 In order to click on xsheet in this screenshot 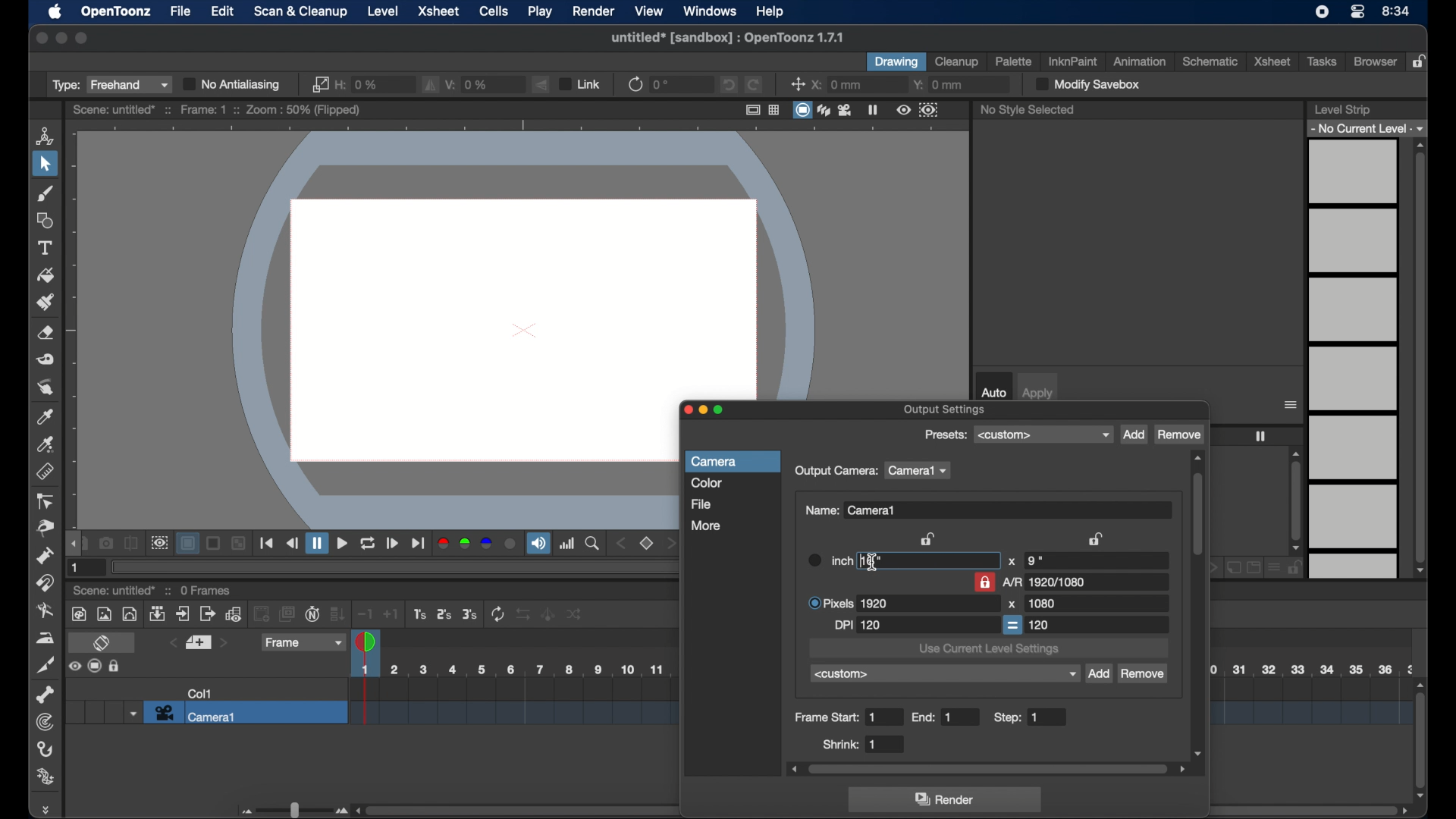, I will do `click(1272, 61)`.